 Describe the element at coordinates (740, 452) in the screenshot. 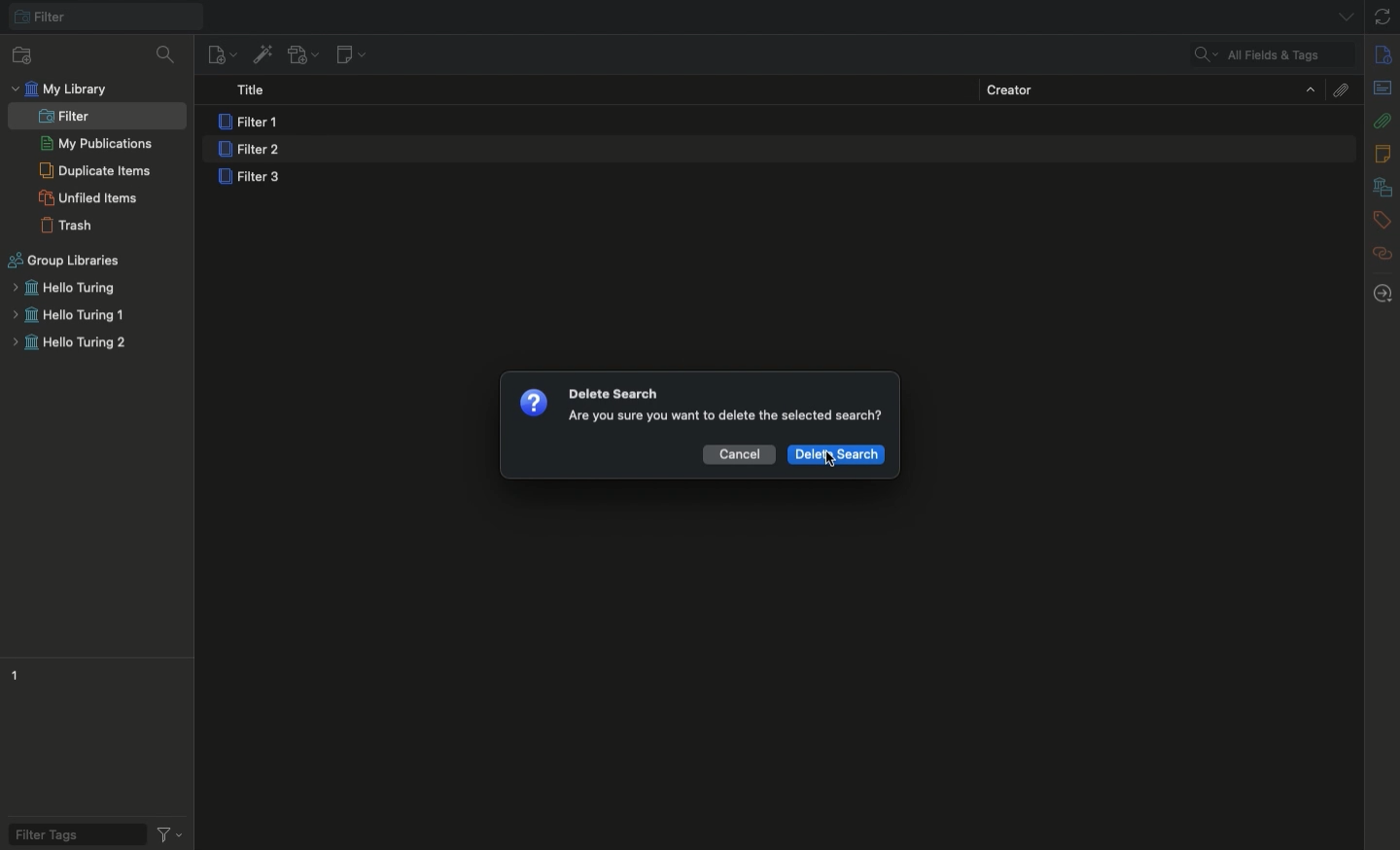

I see `Cancel` at that location.